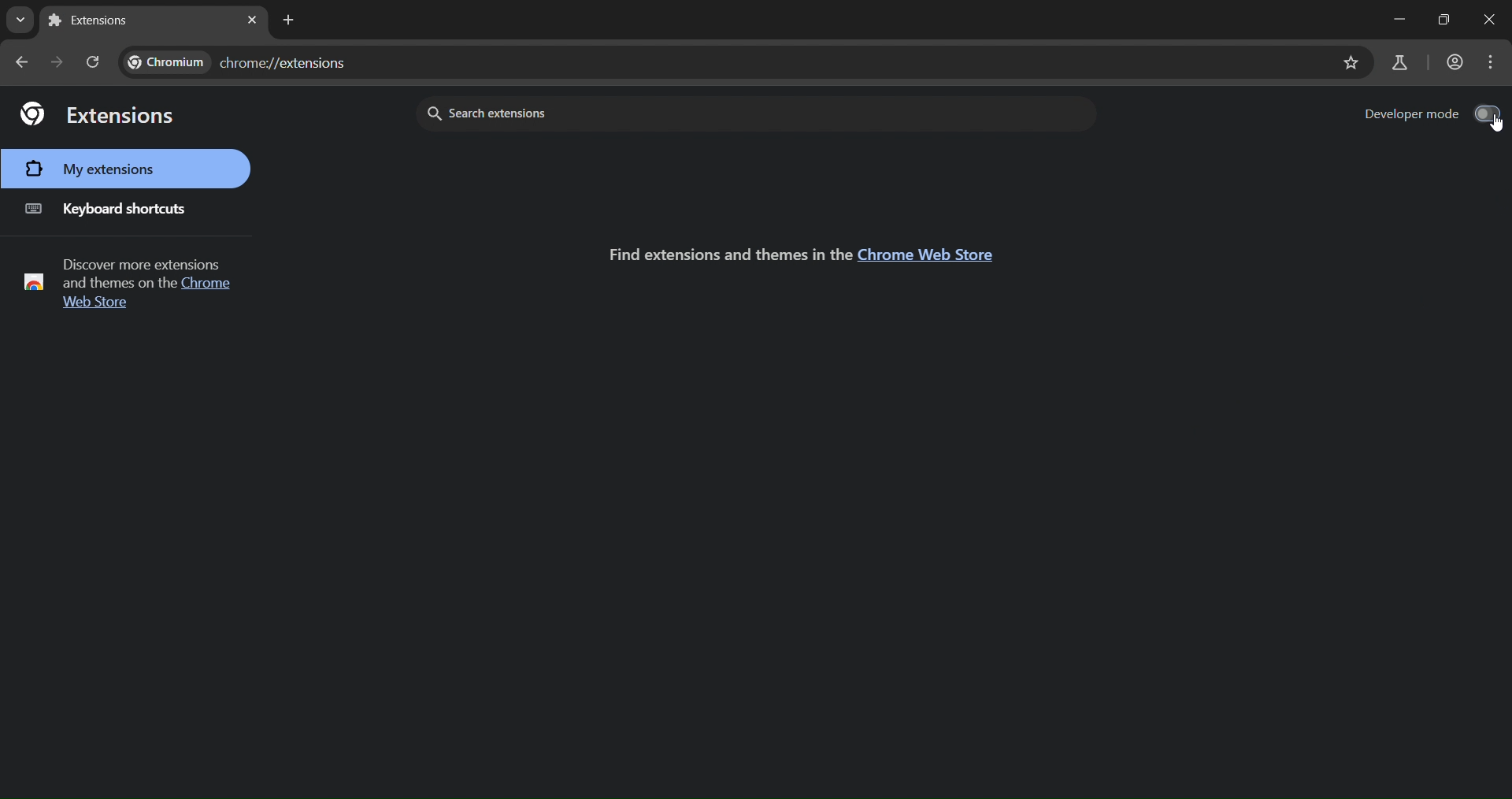  I want to click on search tabs, so click(20, 17).